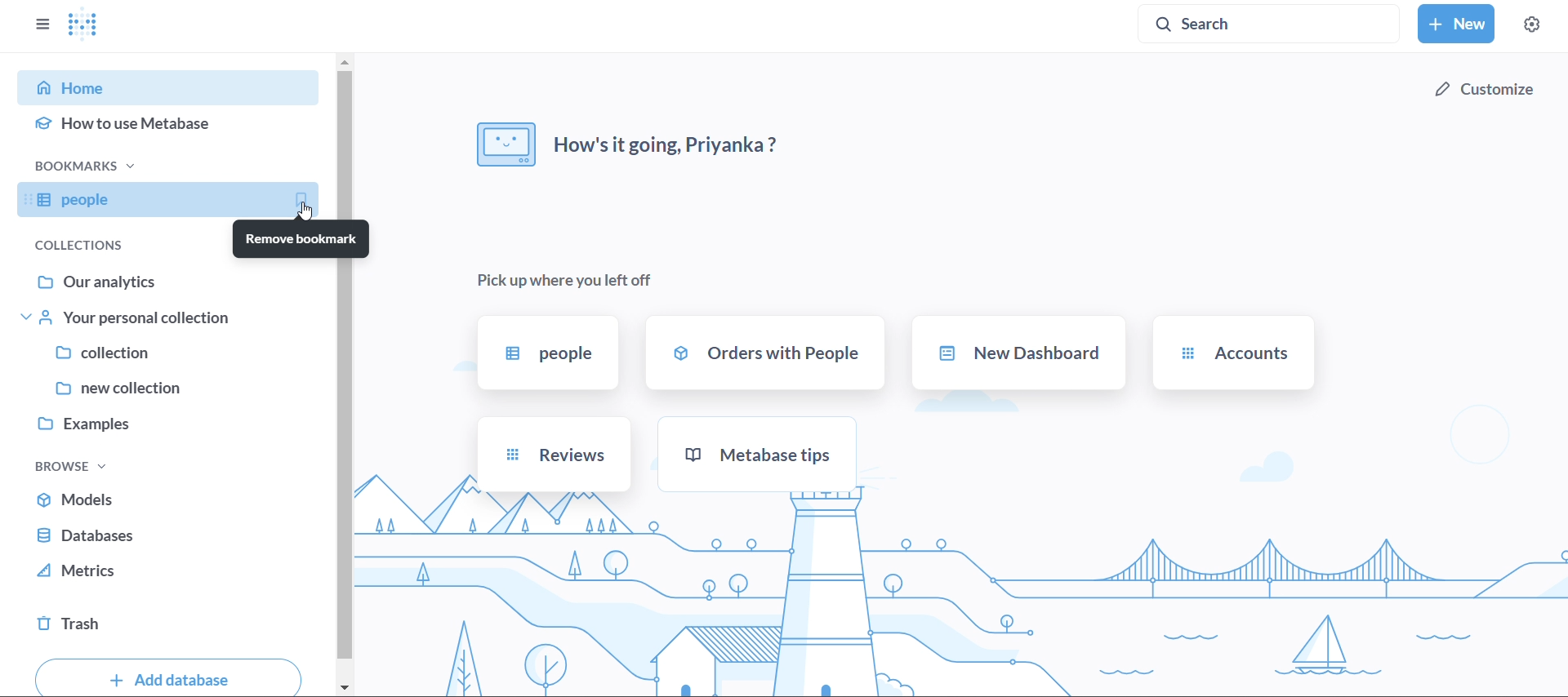  I want to click on people, so click(546, 354).